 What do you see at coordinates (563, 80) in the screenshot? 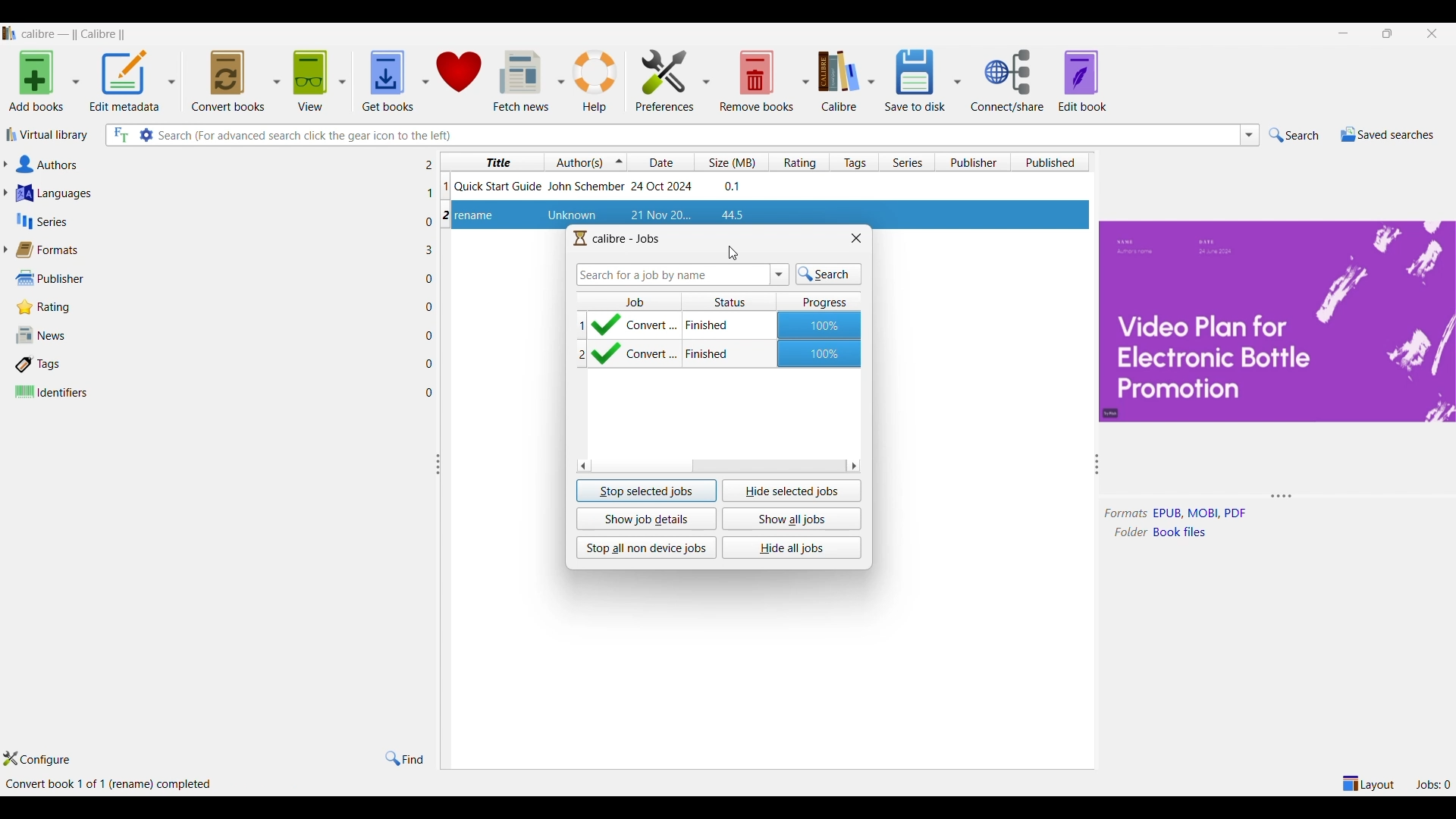
I see `Fetch news options` at bounding box center [563, 80].